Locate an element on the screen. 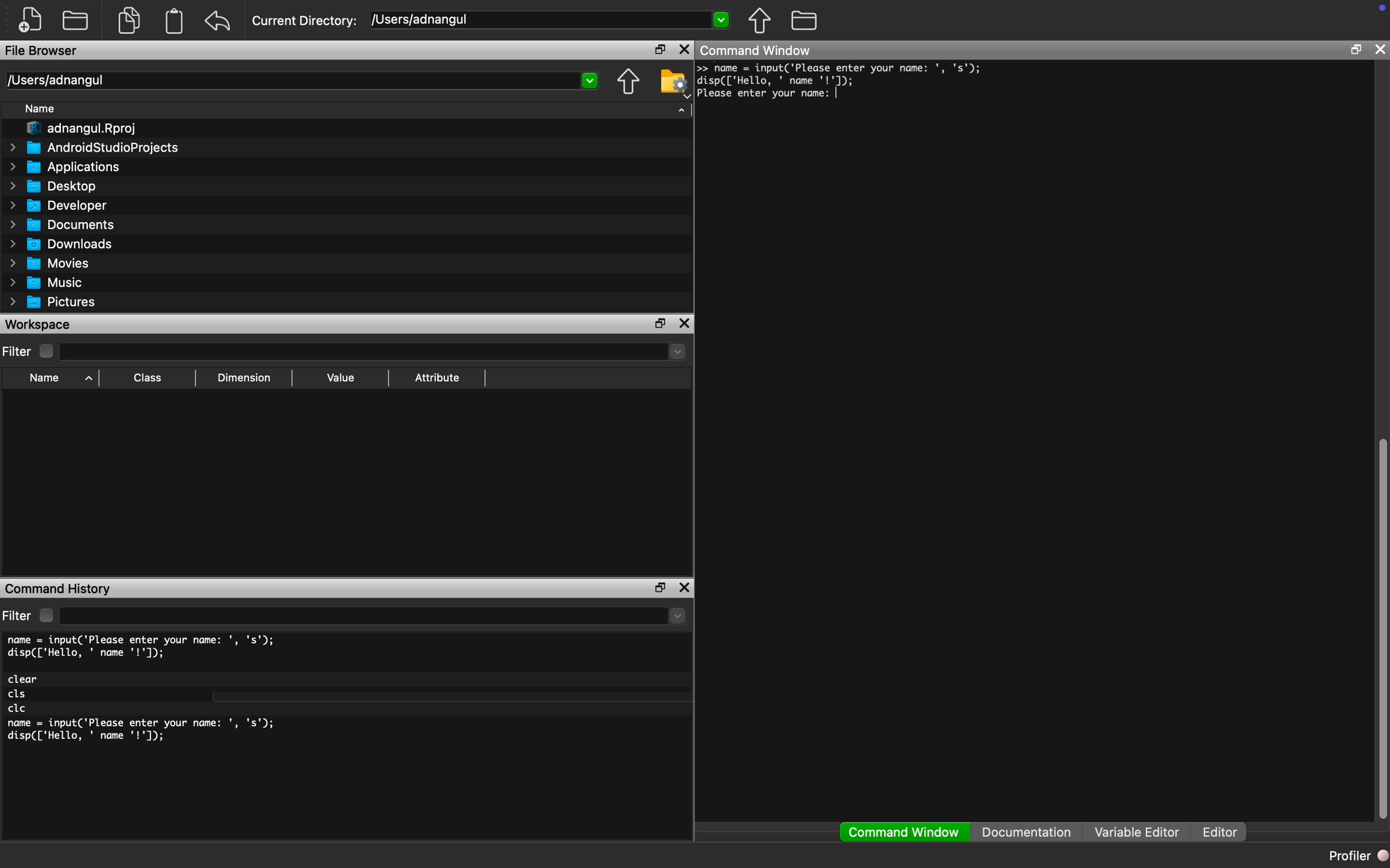 Image resolution: width=1390 pixels, height=868 pixels. duplicate is located at coordinates (130, 20).